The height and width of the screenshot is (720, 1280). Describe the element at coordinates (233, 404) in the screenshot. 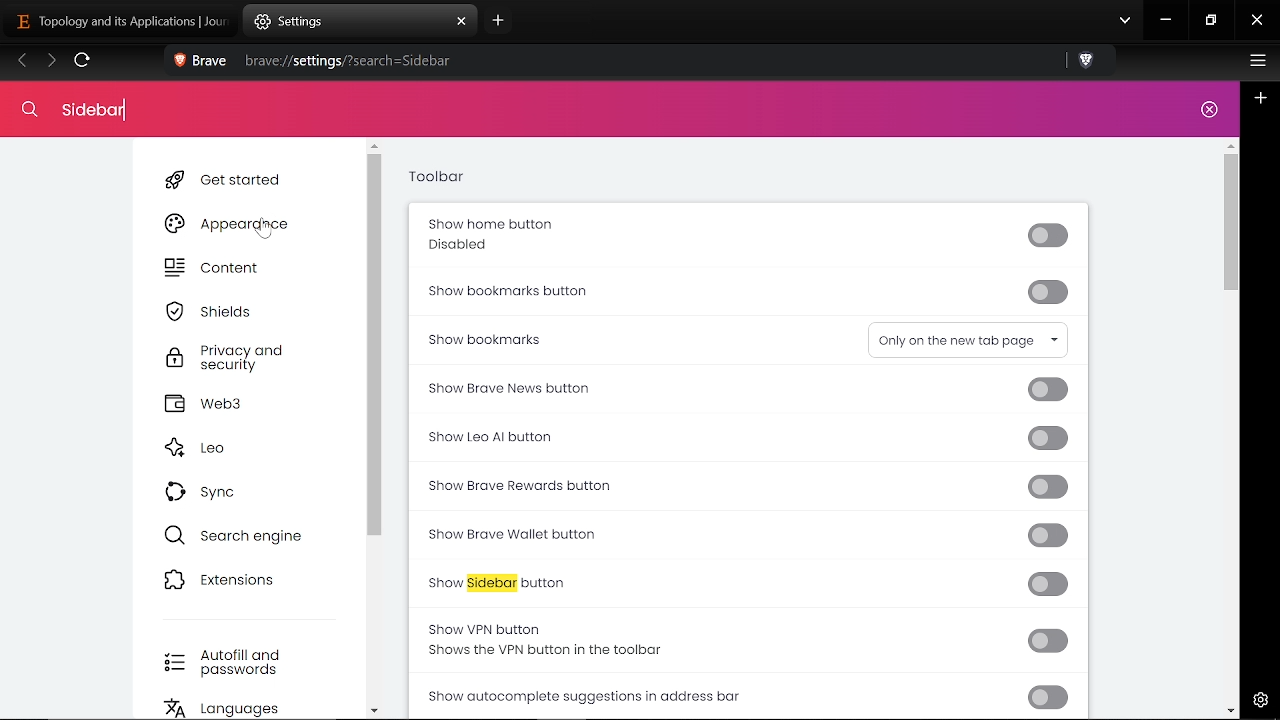

I see `Web3` at that location.